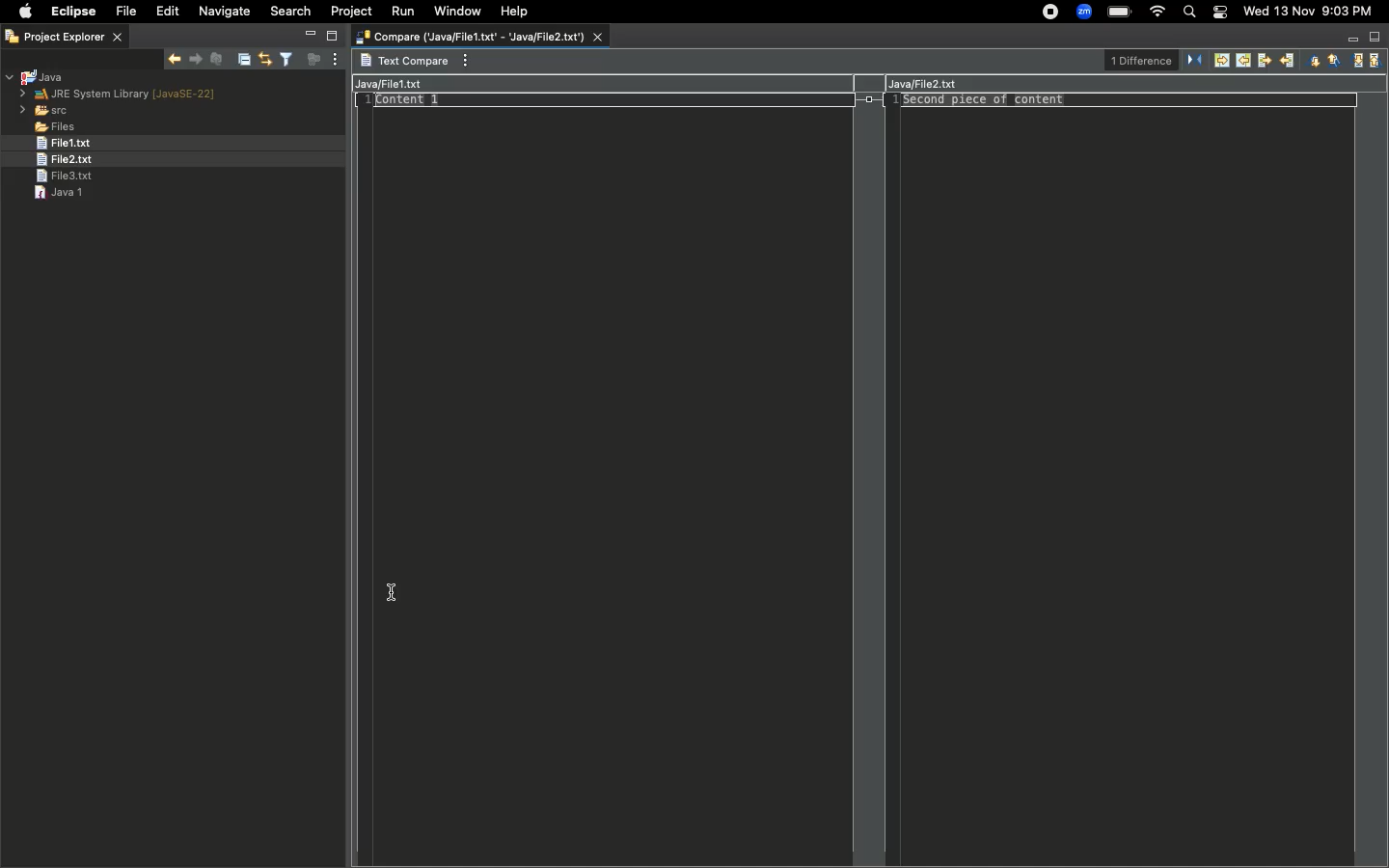 The width and height of the screenshot is (1389, 868). I want to click on Charge, so click(1118, 12).